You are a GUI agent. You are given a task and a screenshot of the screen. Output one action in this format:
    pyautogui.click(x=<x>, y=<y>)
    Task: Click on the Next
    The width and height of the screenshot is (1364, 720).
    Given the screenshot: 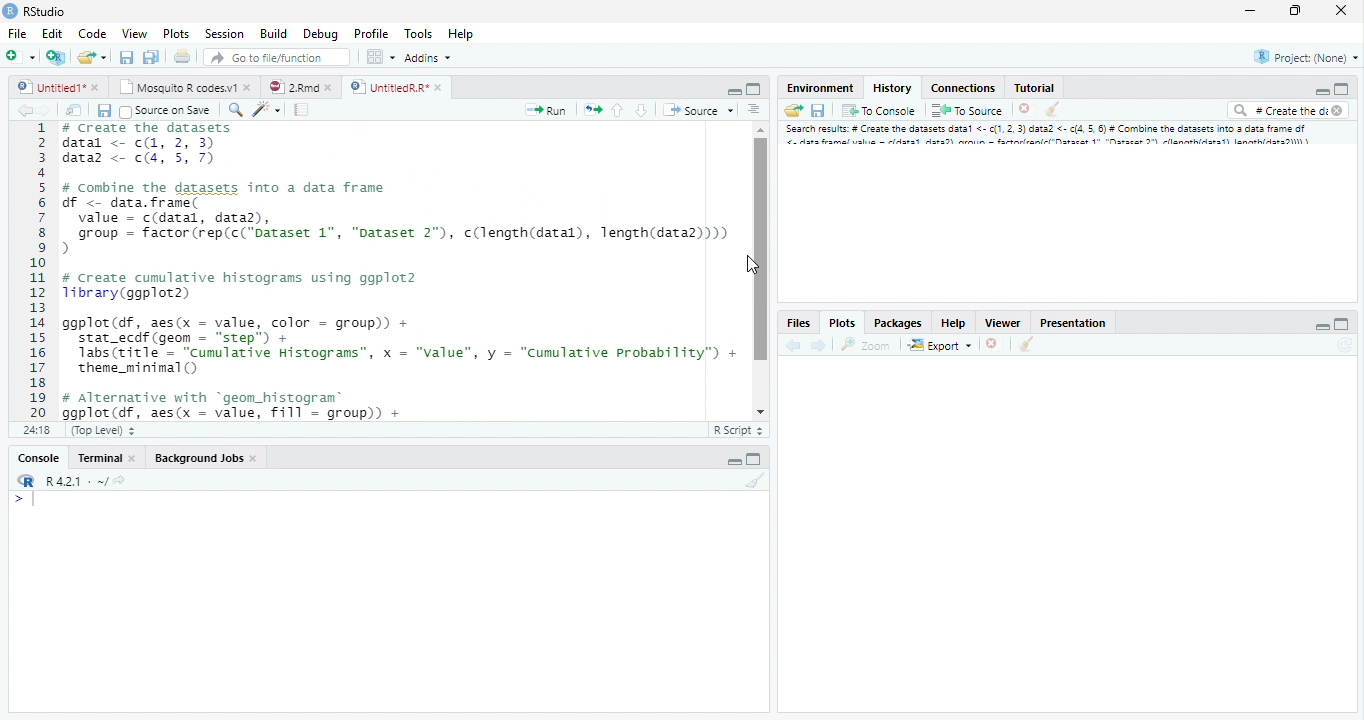 What is the action you would take?
    pyautogui.click(x=43, y=114)
    